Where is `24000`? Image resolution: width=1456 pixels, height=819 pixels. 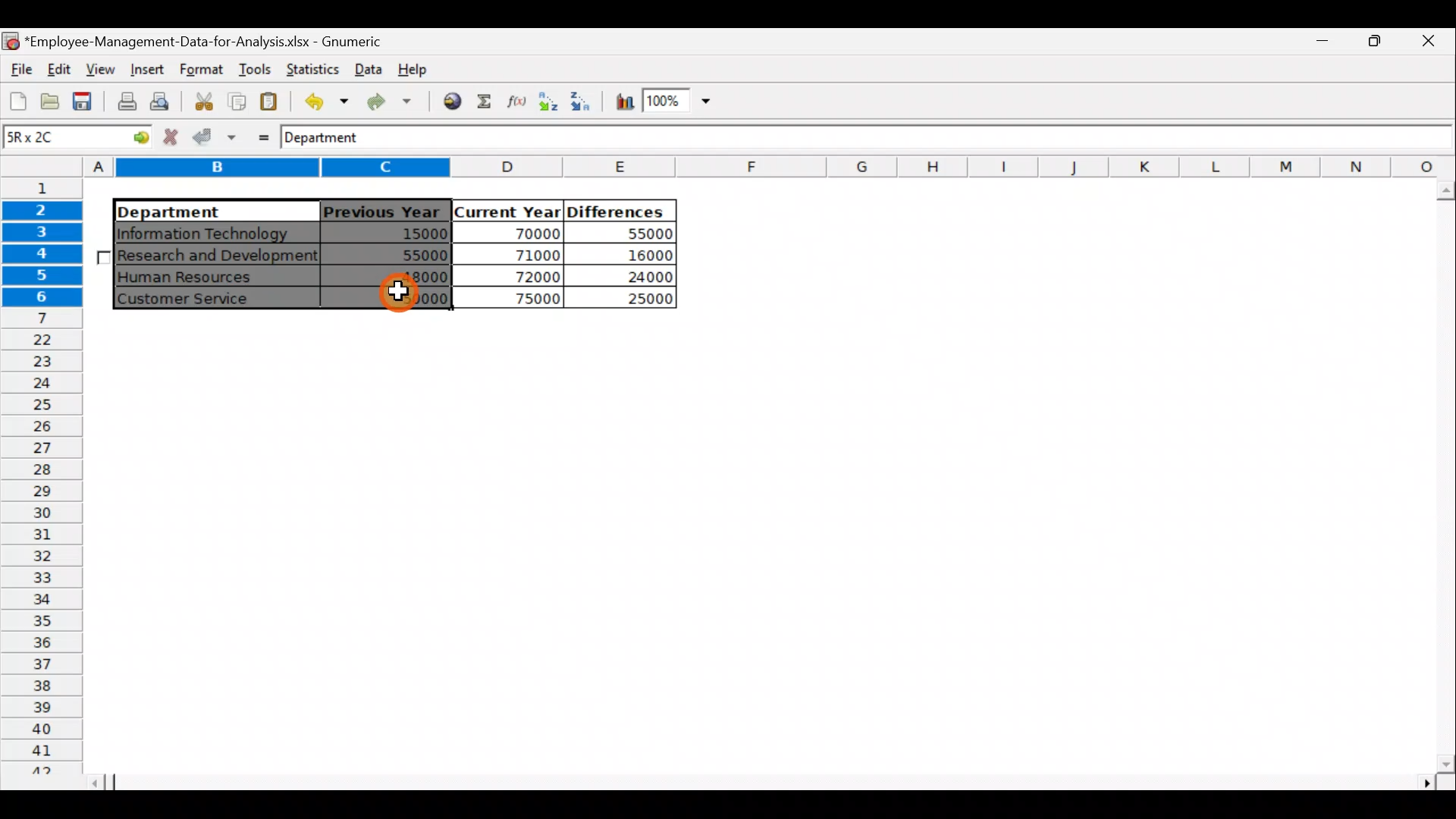
24000 is located at coordinates (632, 277).